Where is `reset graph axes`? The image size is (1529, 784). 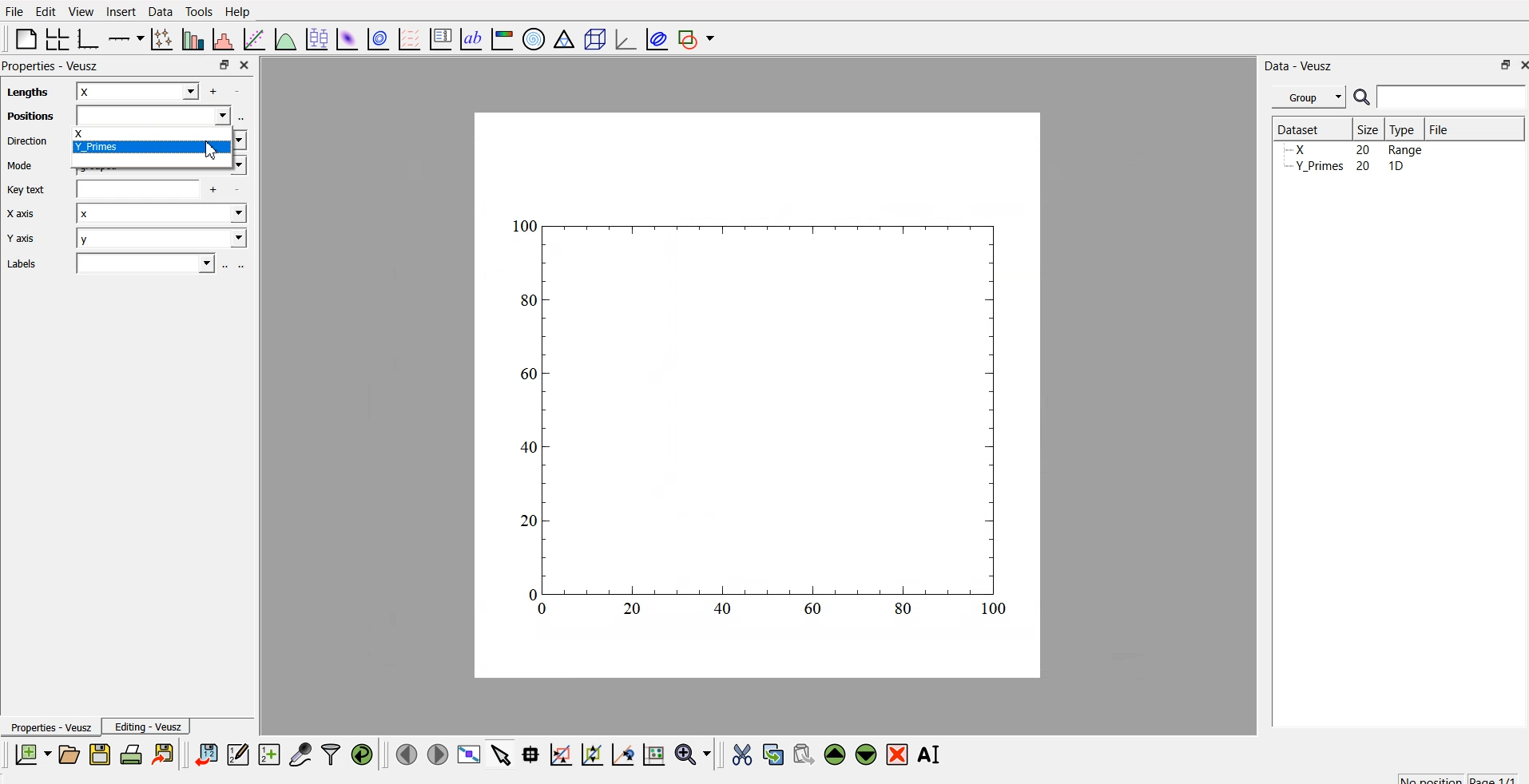
reset graph axes is located at coordinates (653, 752).